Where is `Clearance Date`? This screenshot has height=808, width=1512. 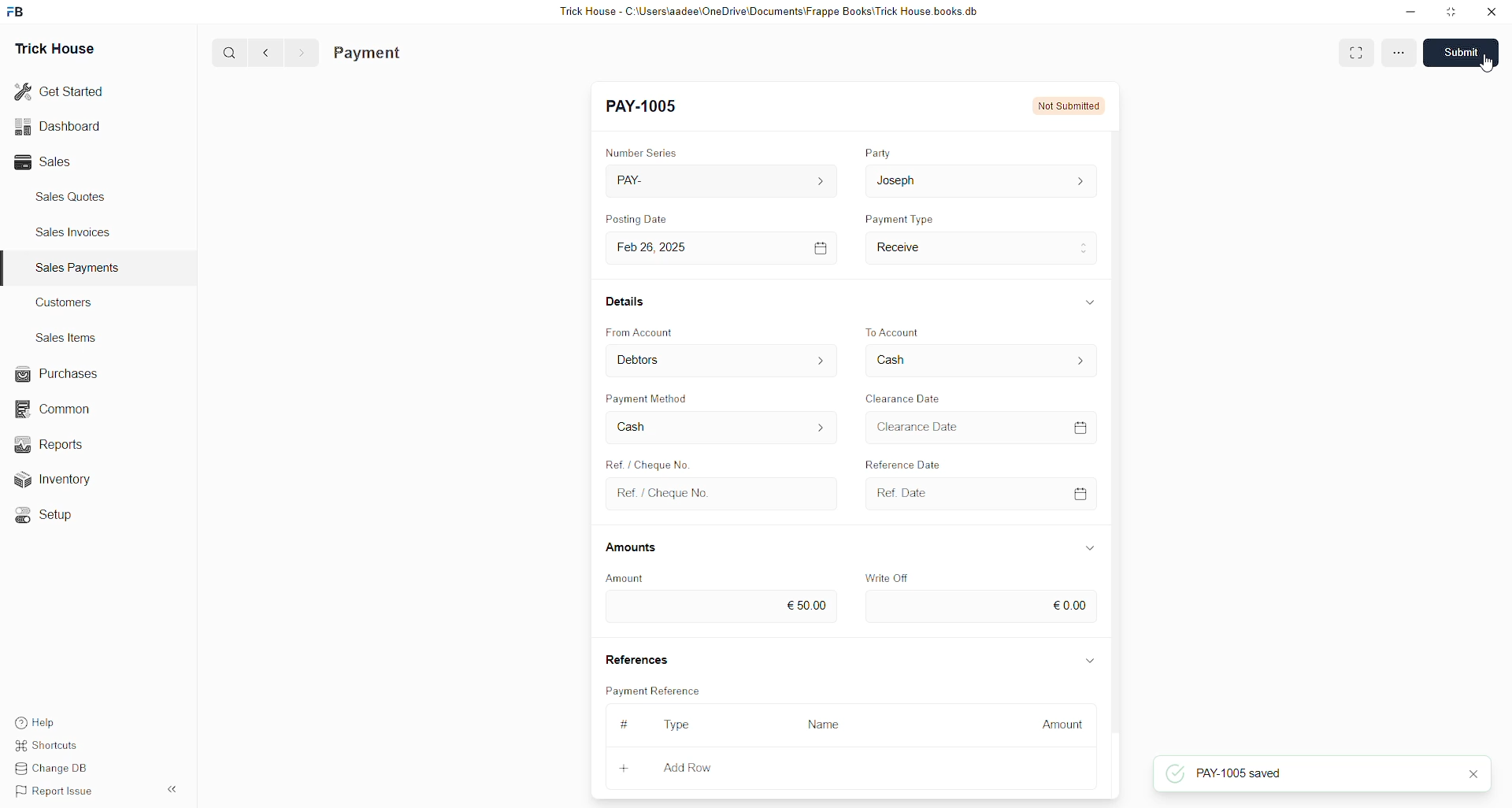 Clearance Date is located at coordinates (904, 398).